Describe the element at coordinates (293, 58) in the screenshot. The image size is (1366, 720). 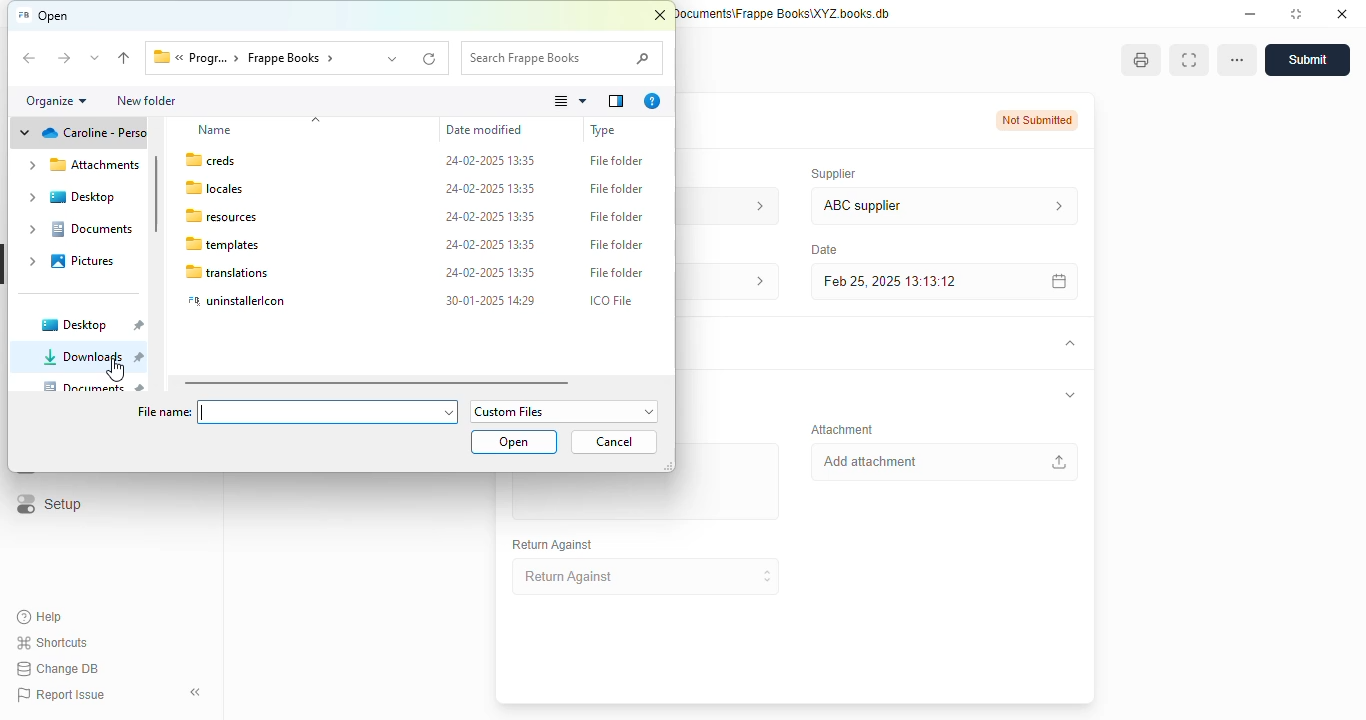
I see `frappe books >` at that location.